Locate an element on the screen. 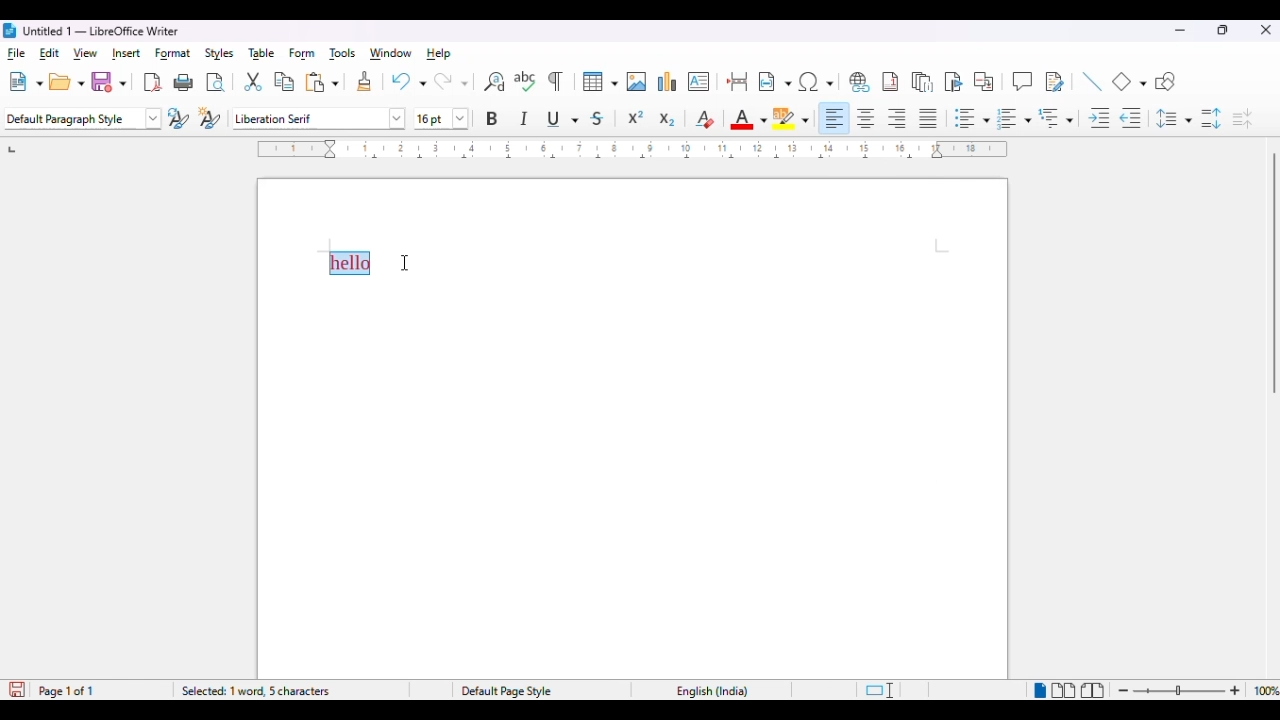 This screenshot has width=1280, height=720. update selected style is located at coordinates (179, 118).